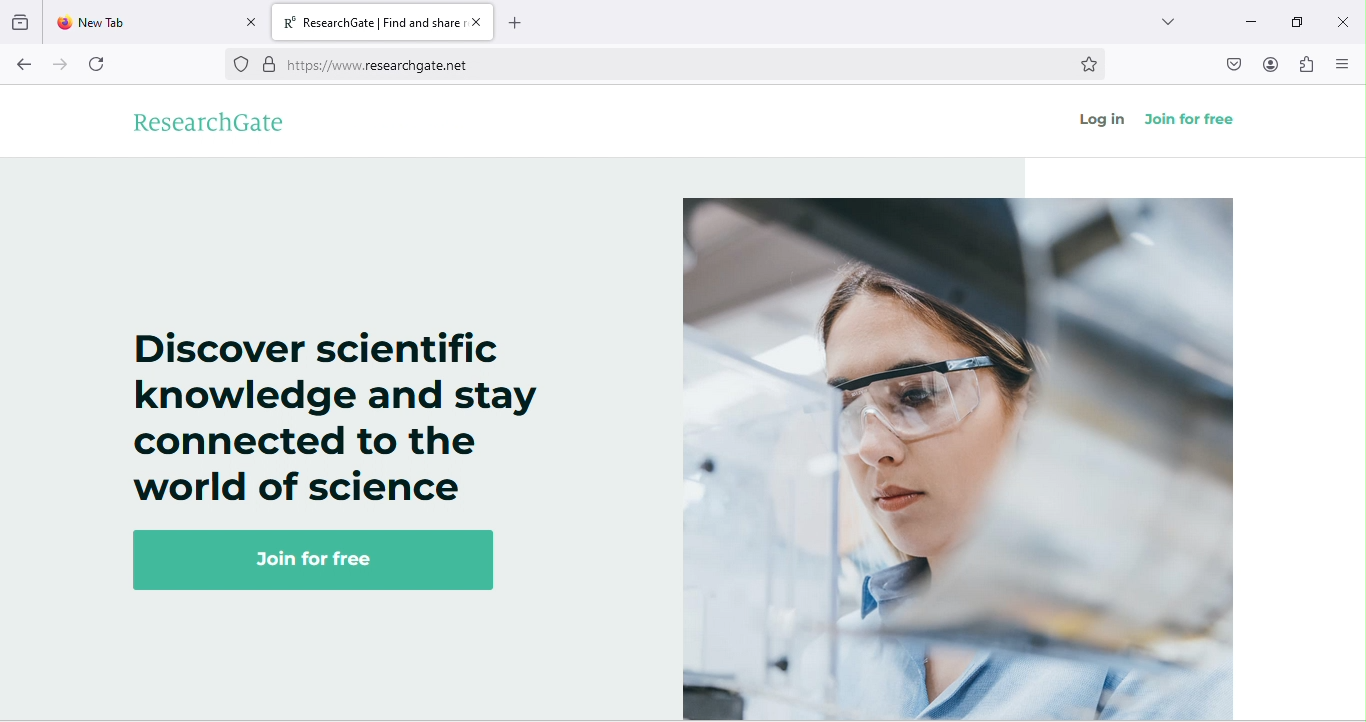 This screenshot has height=722, width=1366. I want to click on title, so click(385, 23).